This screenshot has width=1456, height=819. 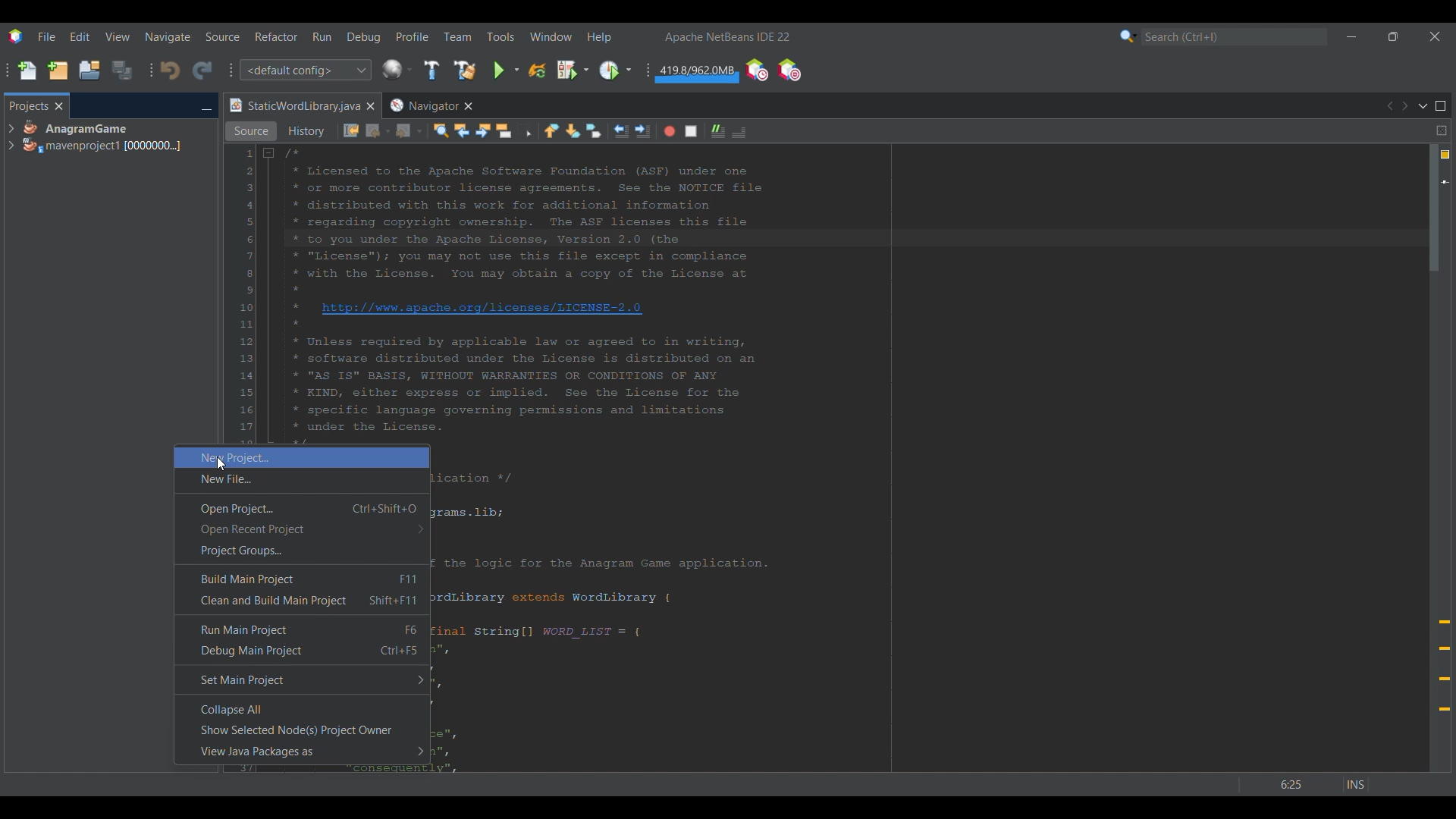 I want to click on Search box, so click(x=1235, y=36).